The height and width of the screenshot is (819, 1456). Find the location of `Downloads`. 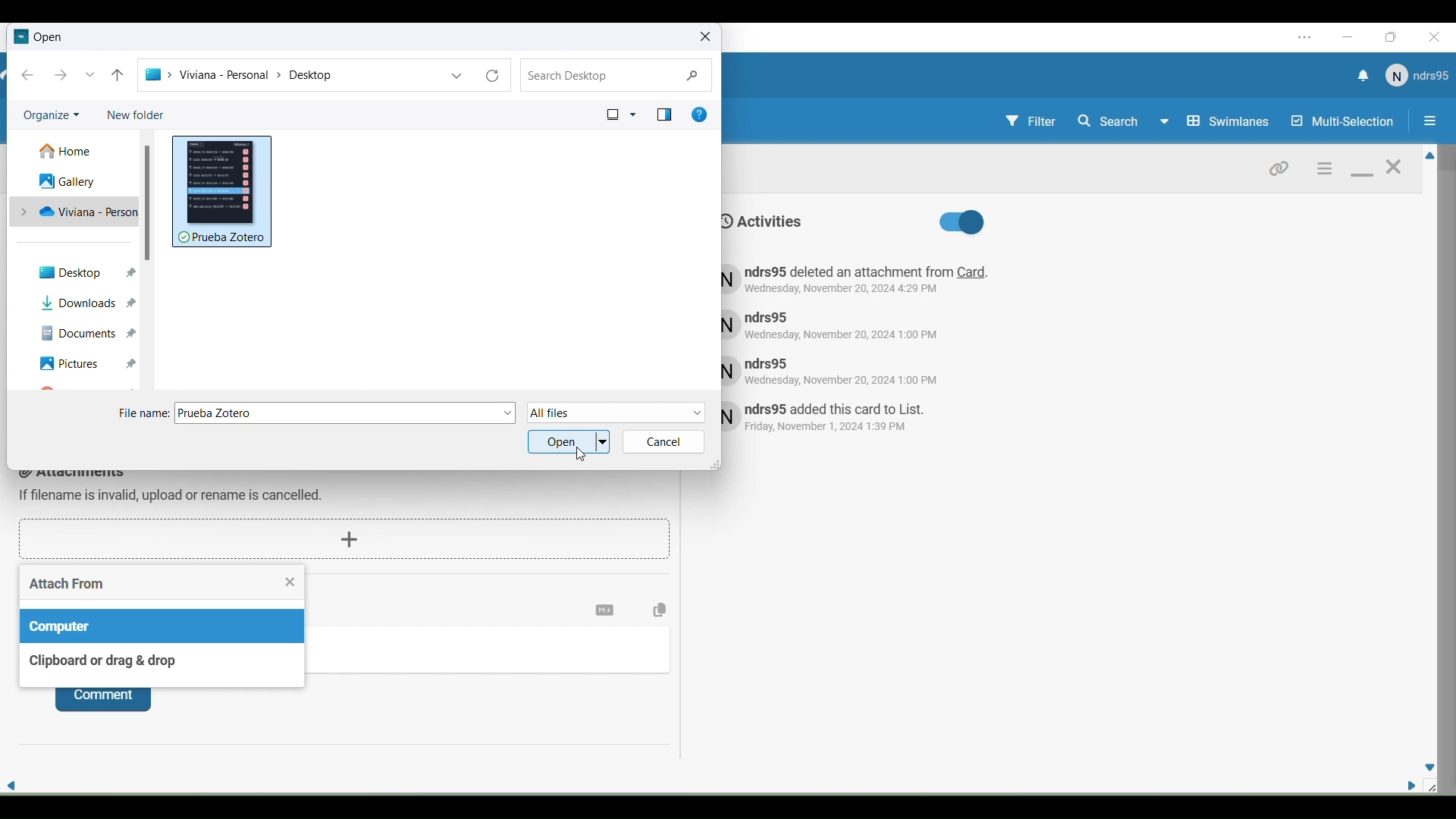

Downloads is located at coordinates (88, 305).